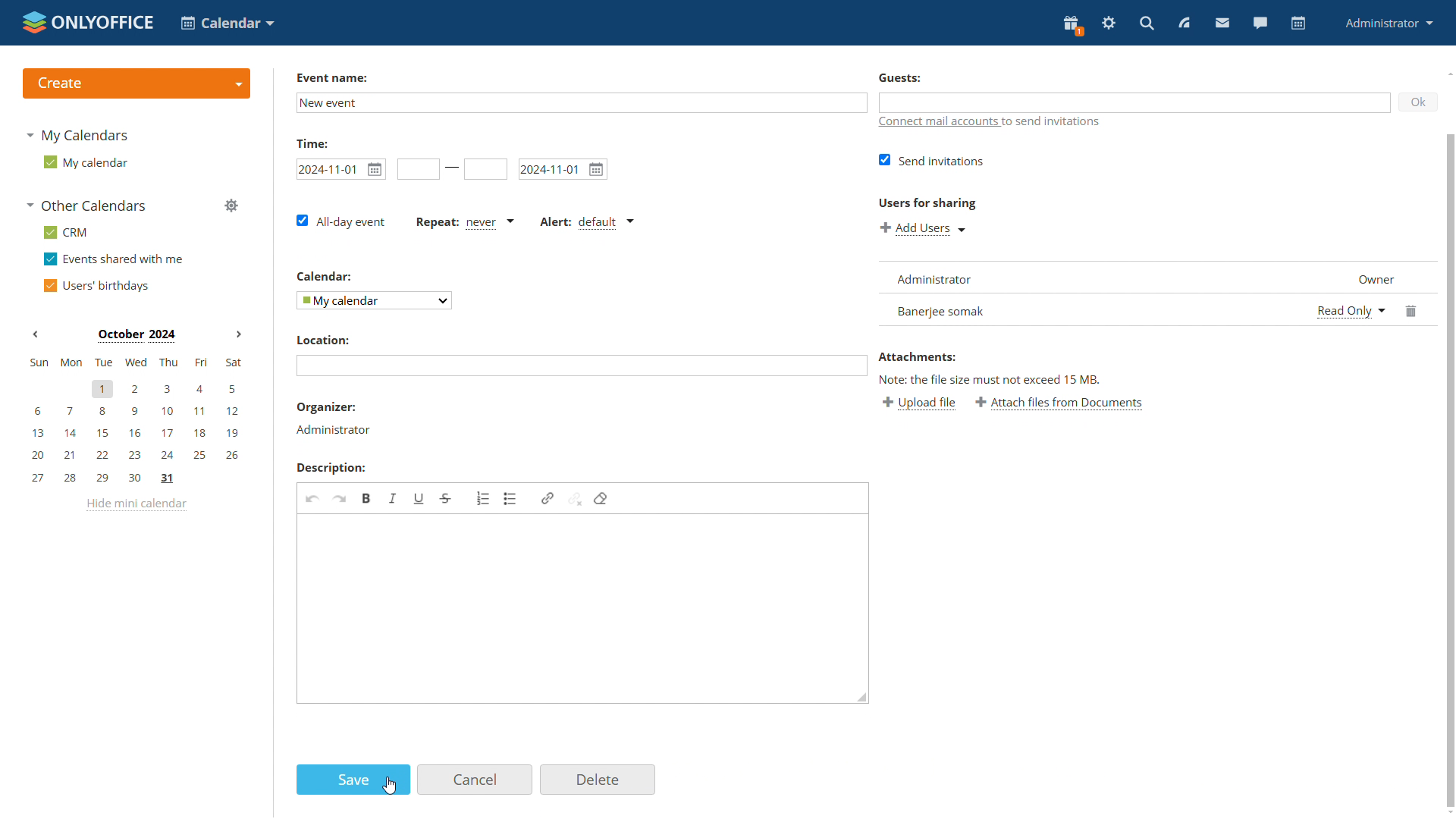  What do you see at coordinates (598, 780) in the screenshot?
I see `delete` at bounding box center [598, 780].